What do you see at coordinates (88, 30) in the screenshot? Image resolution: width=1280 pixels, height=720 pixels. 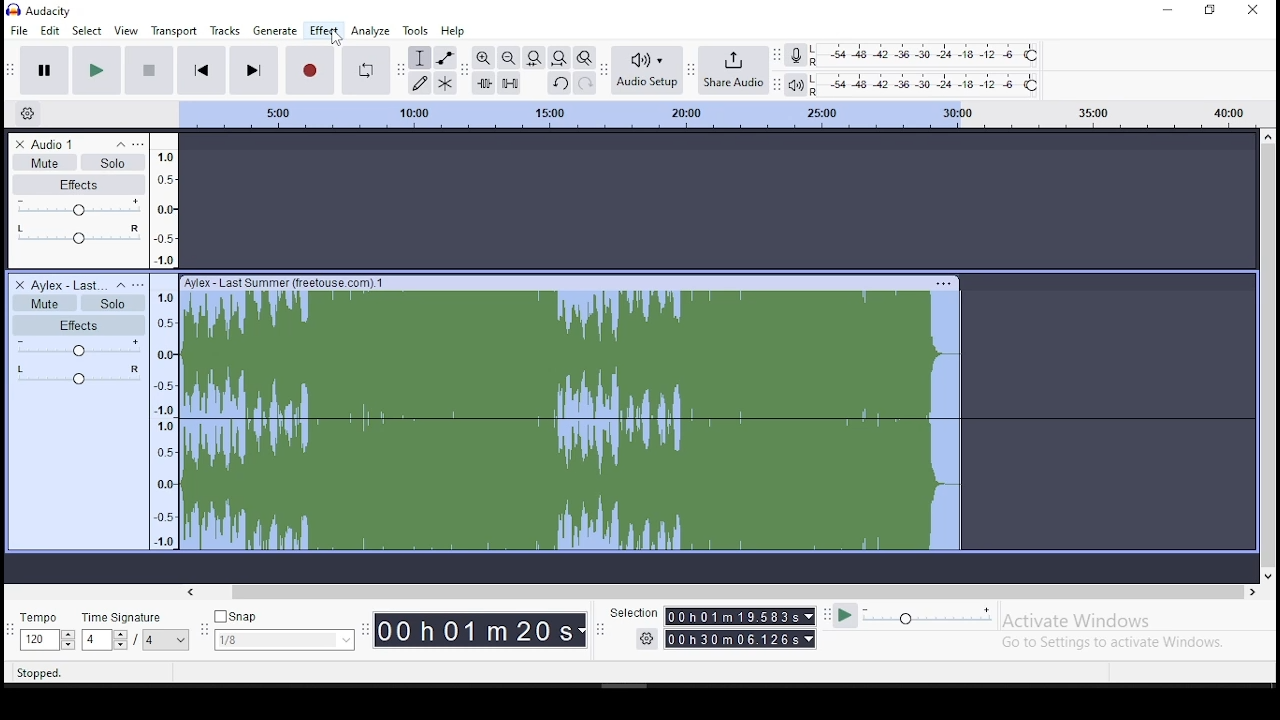 I see `select` at bounding box center [88, 30].